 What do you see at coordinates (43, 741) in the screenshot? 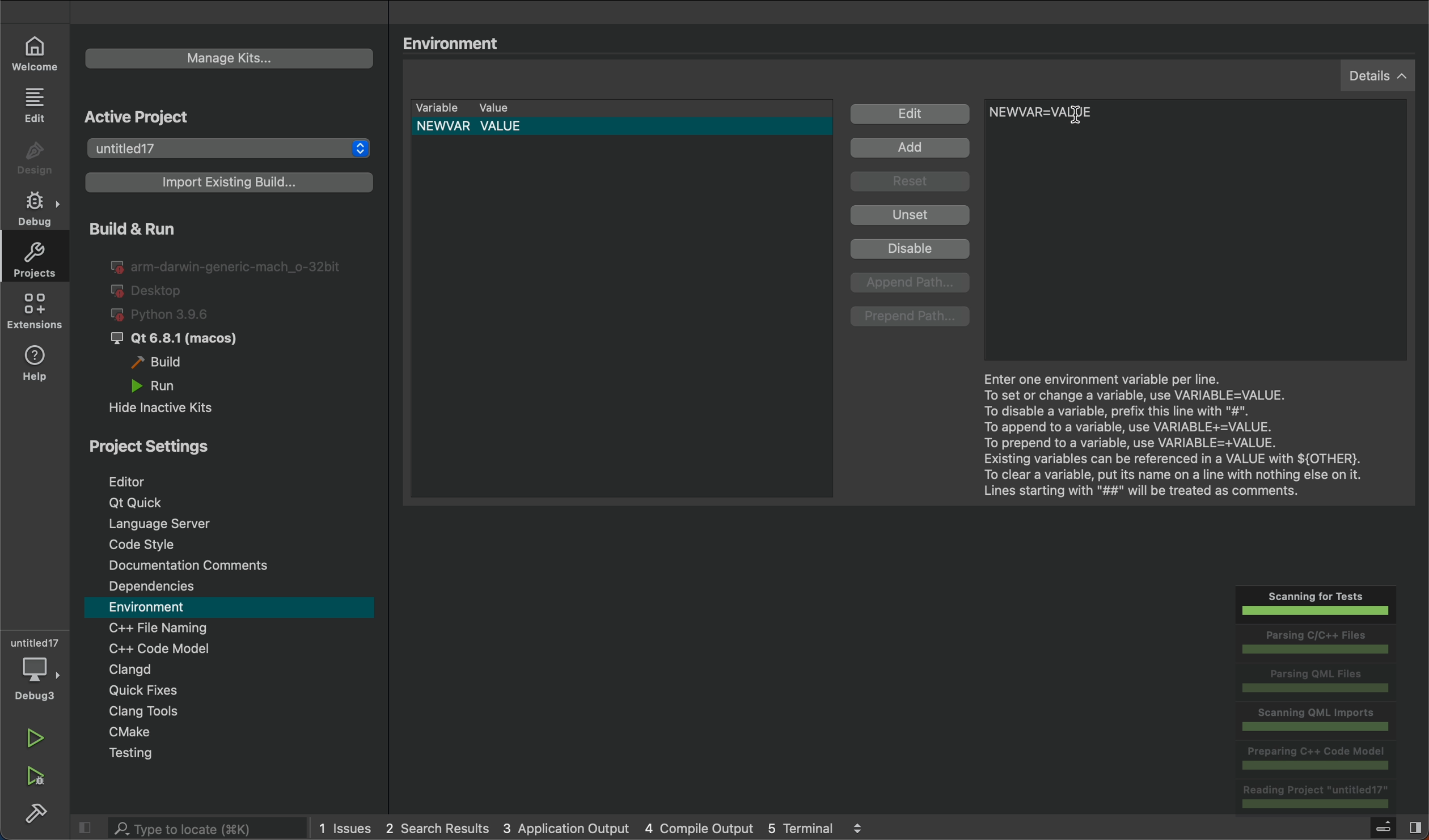
I see `run` at bounding box center [43, 741].